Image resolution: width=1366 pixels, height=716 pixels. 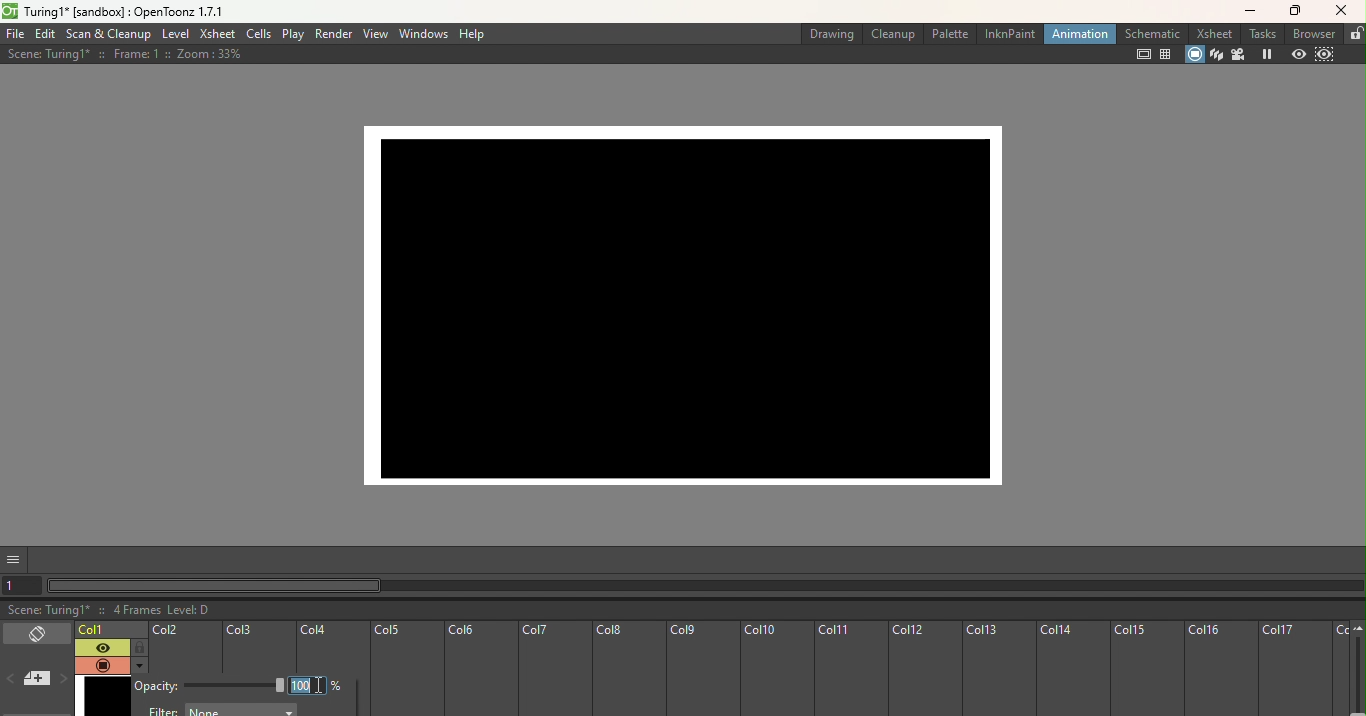 I want to click on Camera stand visibility toggle, so click(x=101, y=665).